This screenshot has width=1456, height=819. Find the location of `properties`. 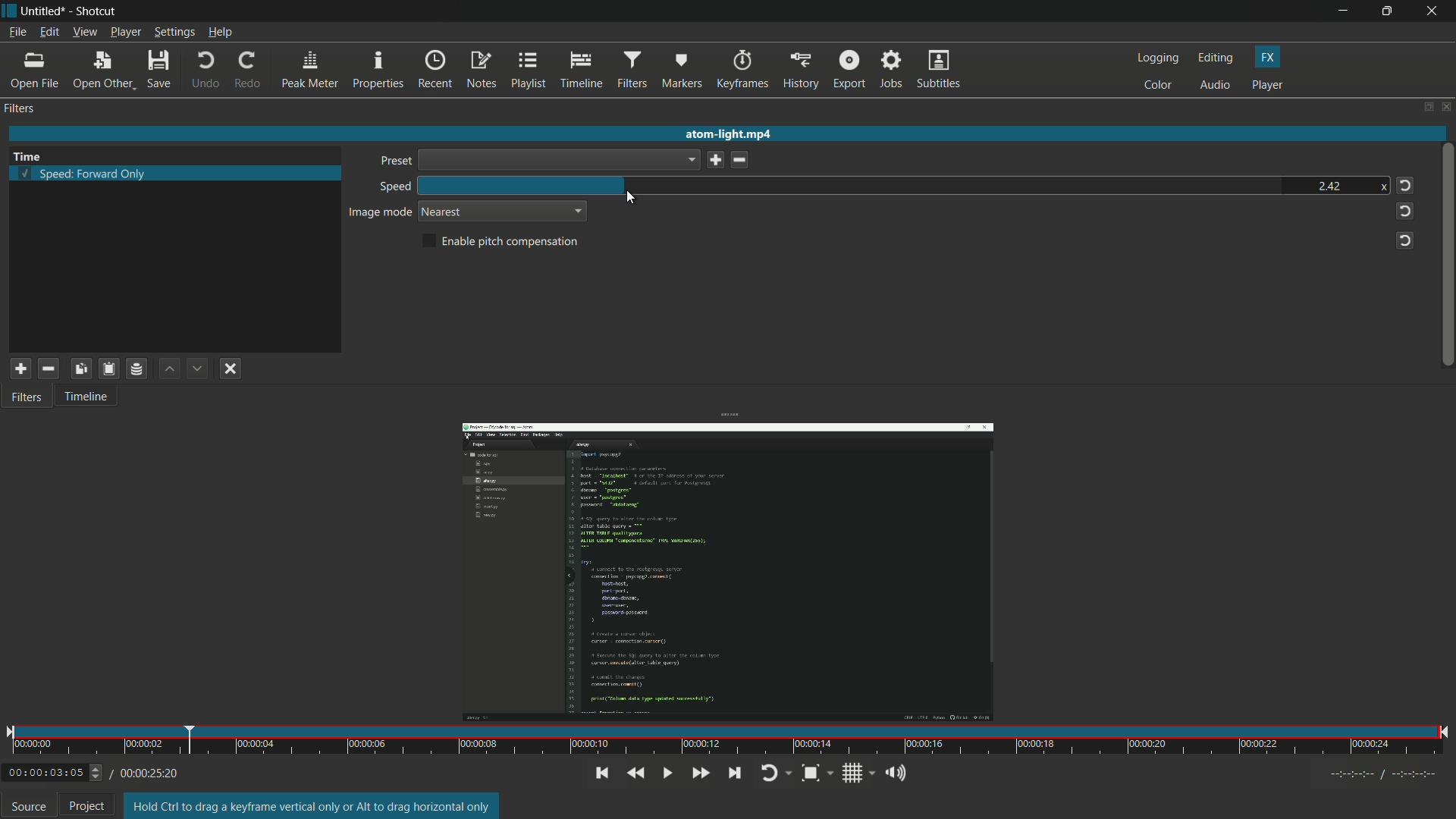

properties is located at coordinates (379, 70).